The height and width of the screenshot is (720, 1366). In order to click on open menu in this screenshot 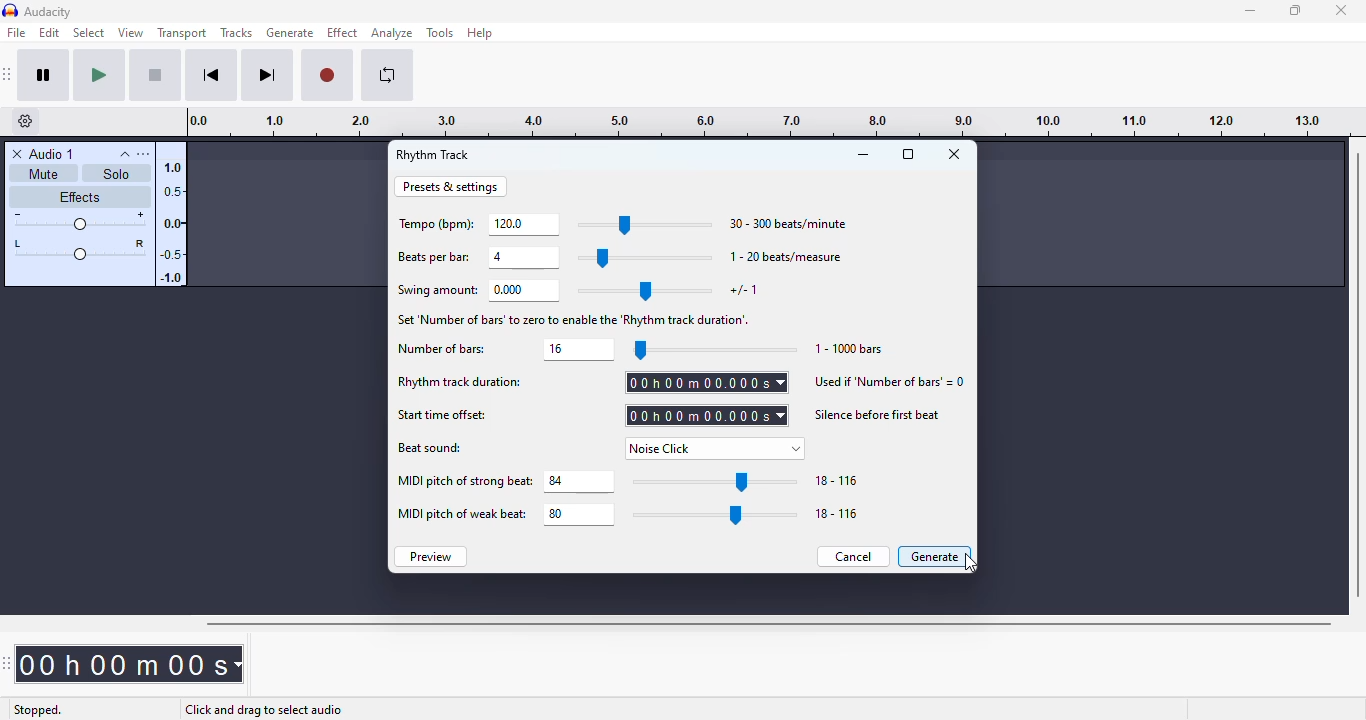, I will do `click(144, 154)`.